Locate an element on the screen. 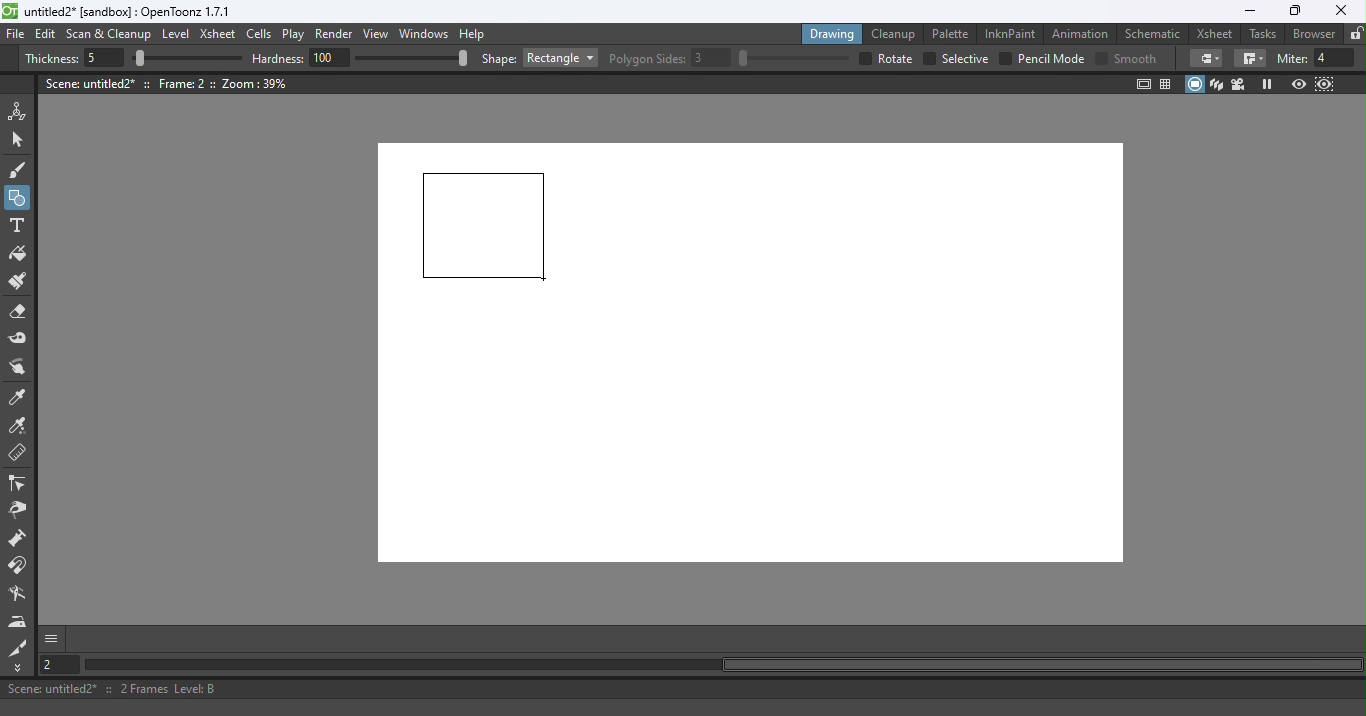 This screenshot has height=716, width=1366. Windows is located at coordinates (425, 35).